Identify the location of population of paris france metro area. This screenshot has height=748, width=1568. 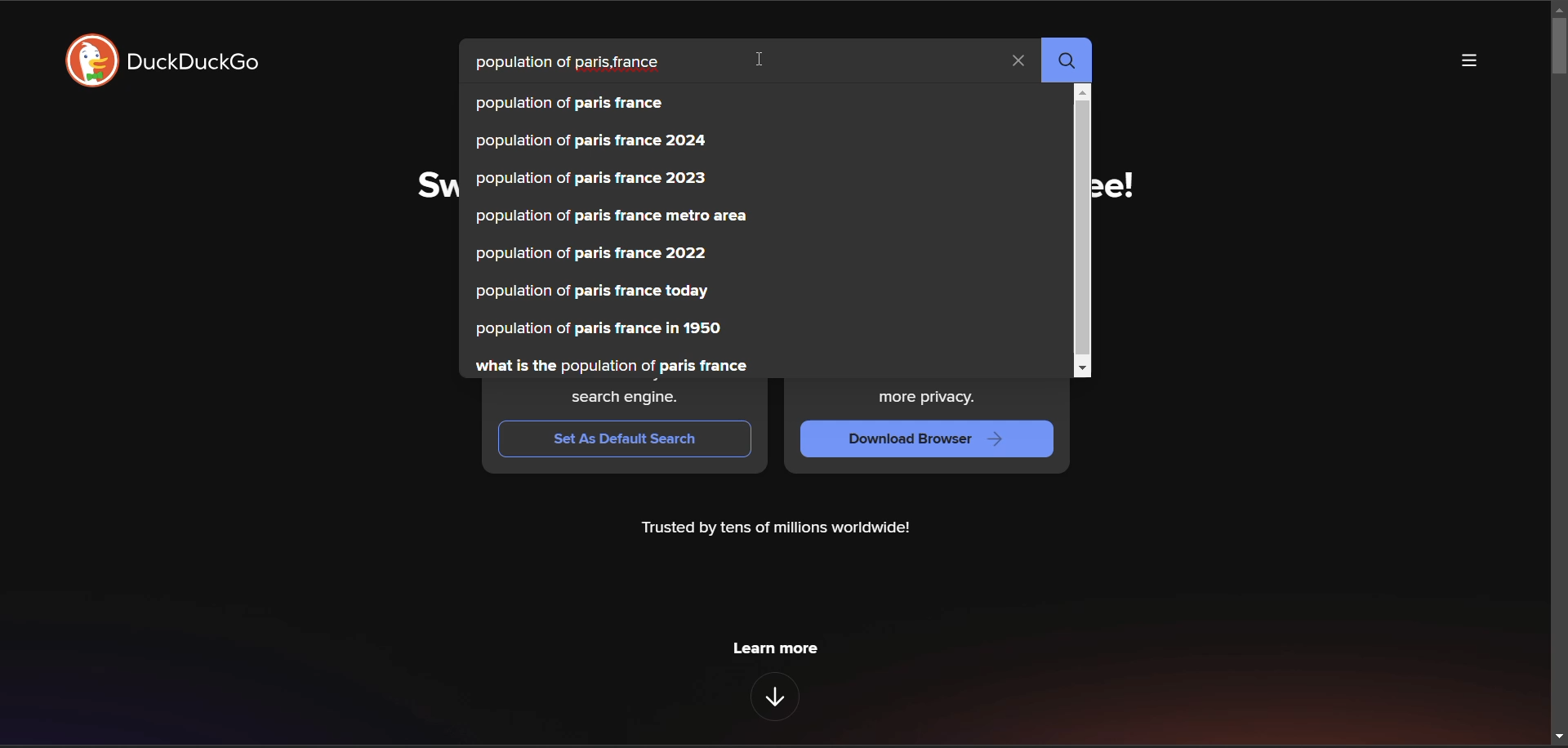
(616, 217).